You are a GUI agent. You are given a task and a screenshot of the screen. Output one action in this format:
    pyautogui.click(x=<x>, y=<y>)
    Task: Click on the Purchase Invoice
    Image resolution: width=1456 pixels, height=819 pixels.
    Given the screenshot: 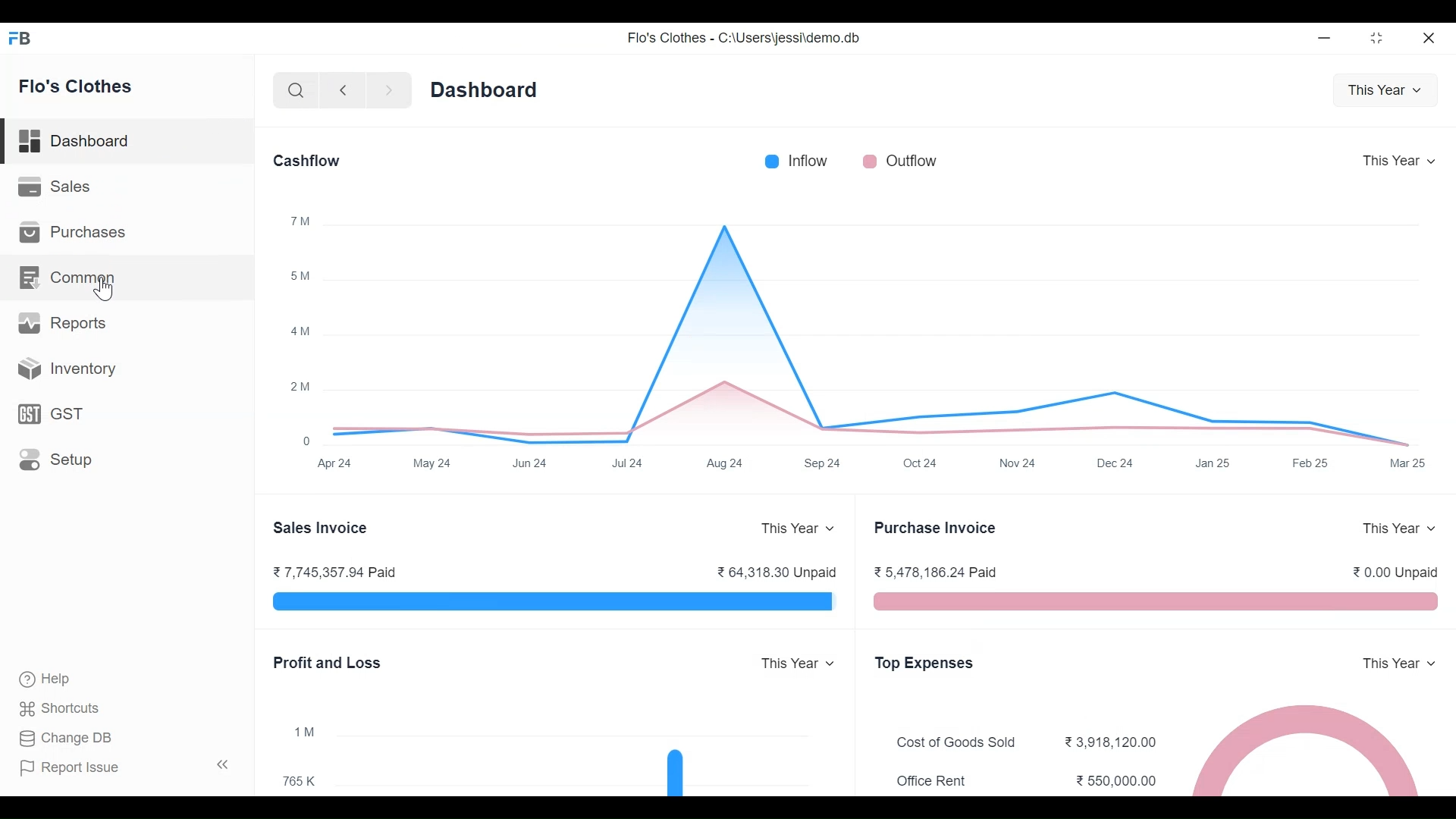 What is the action you would take?
    pyautogui.click(x=938, y=528)
    